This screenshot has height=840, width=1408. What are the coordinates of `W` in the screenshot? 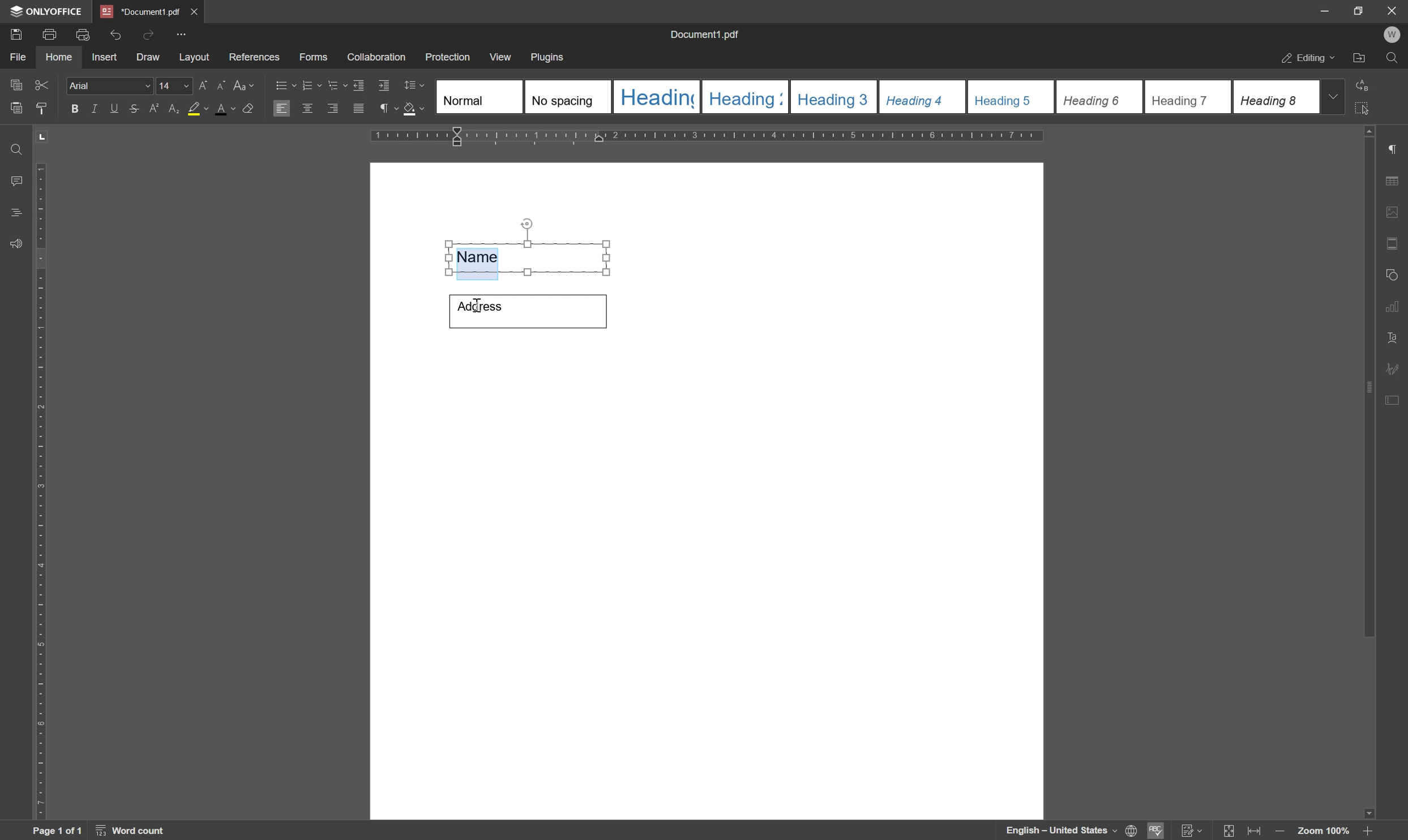 It's located at (1394, 35).